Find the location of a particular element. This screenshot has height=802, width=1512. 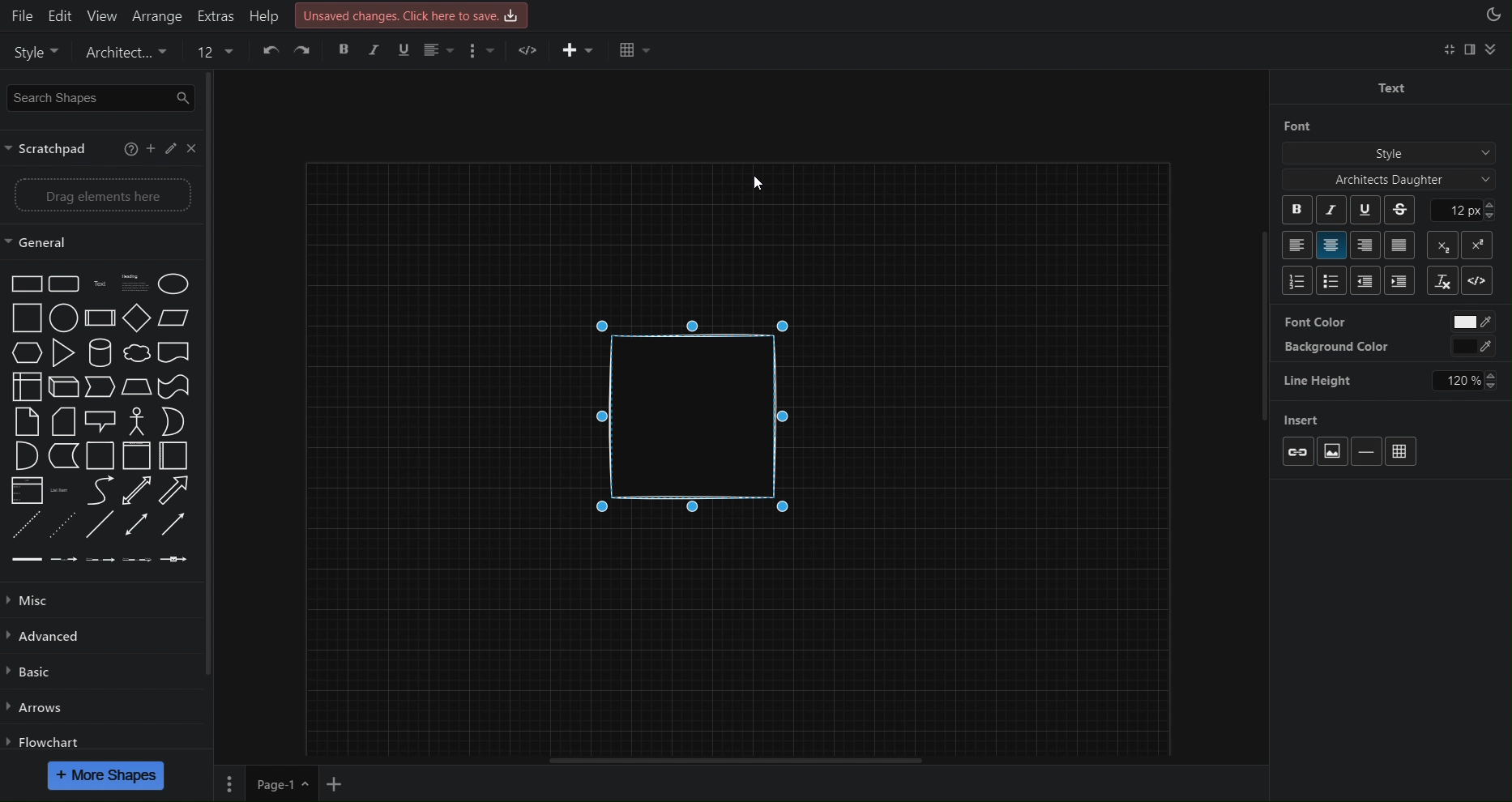

bullets is located at coordinates (1332, 280).